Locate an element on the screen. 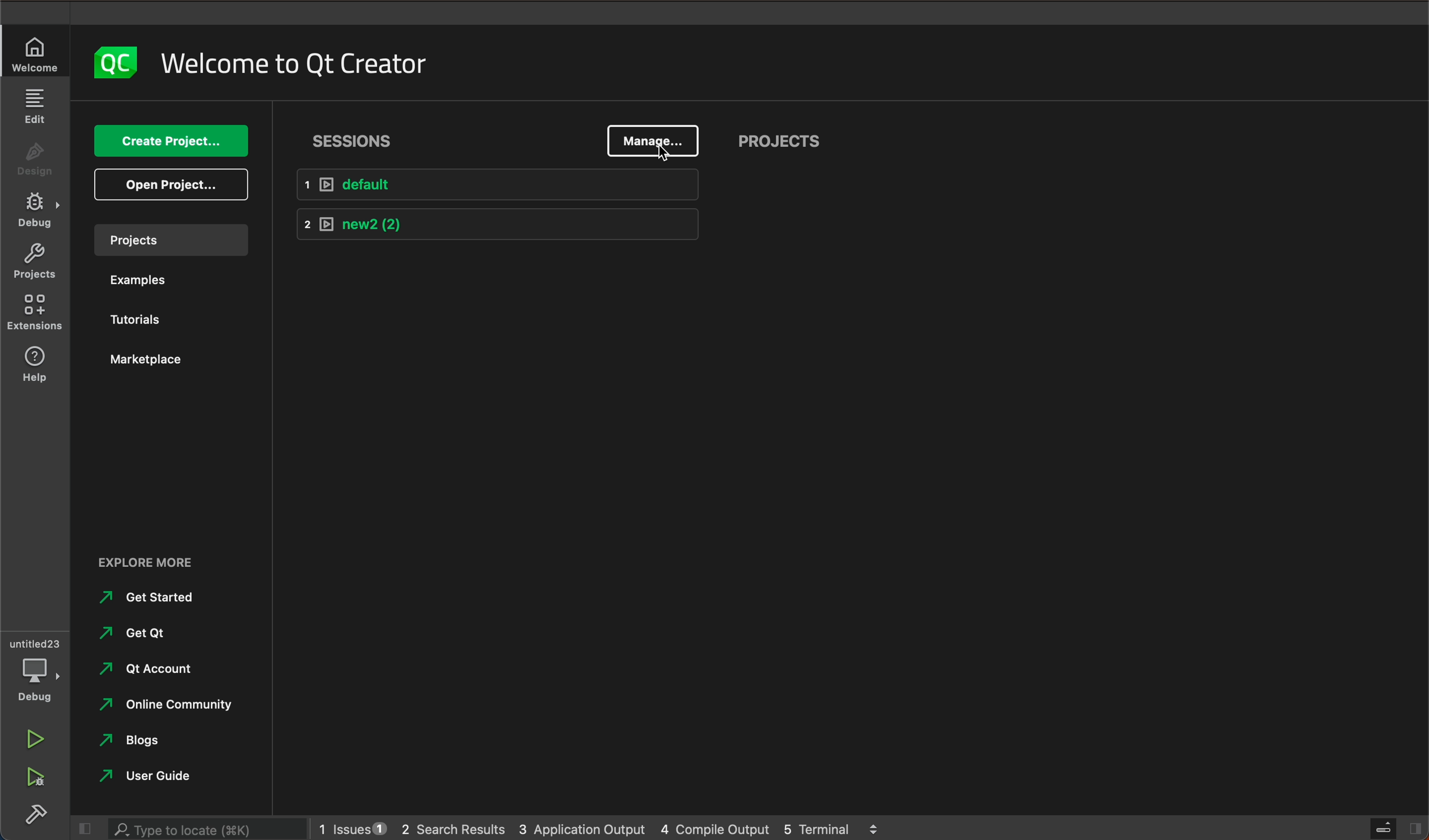 This screenshot has width=1429, height=840. logs is located at coordinates (615, 829).